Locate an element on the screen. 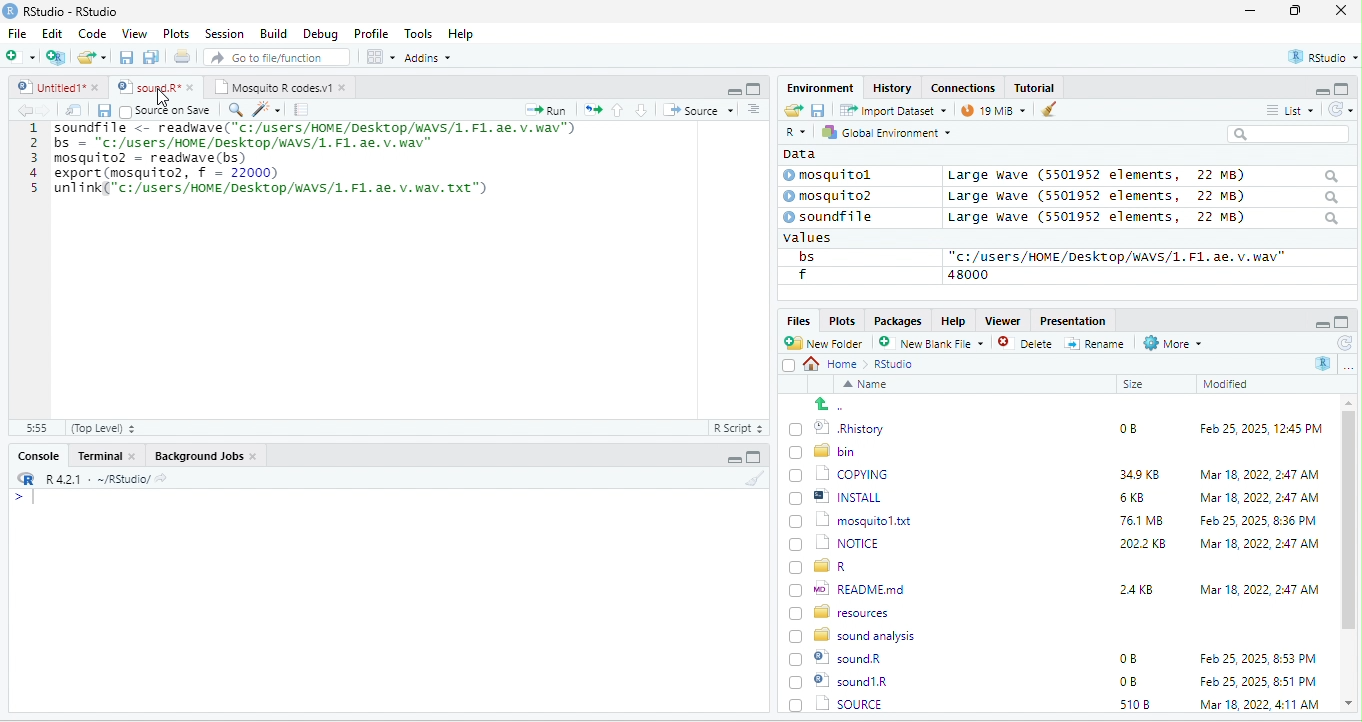  ‘| COPYING is located at coordinates (839, 473).